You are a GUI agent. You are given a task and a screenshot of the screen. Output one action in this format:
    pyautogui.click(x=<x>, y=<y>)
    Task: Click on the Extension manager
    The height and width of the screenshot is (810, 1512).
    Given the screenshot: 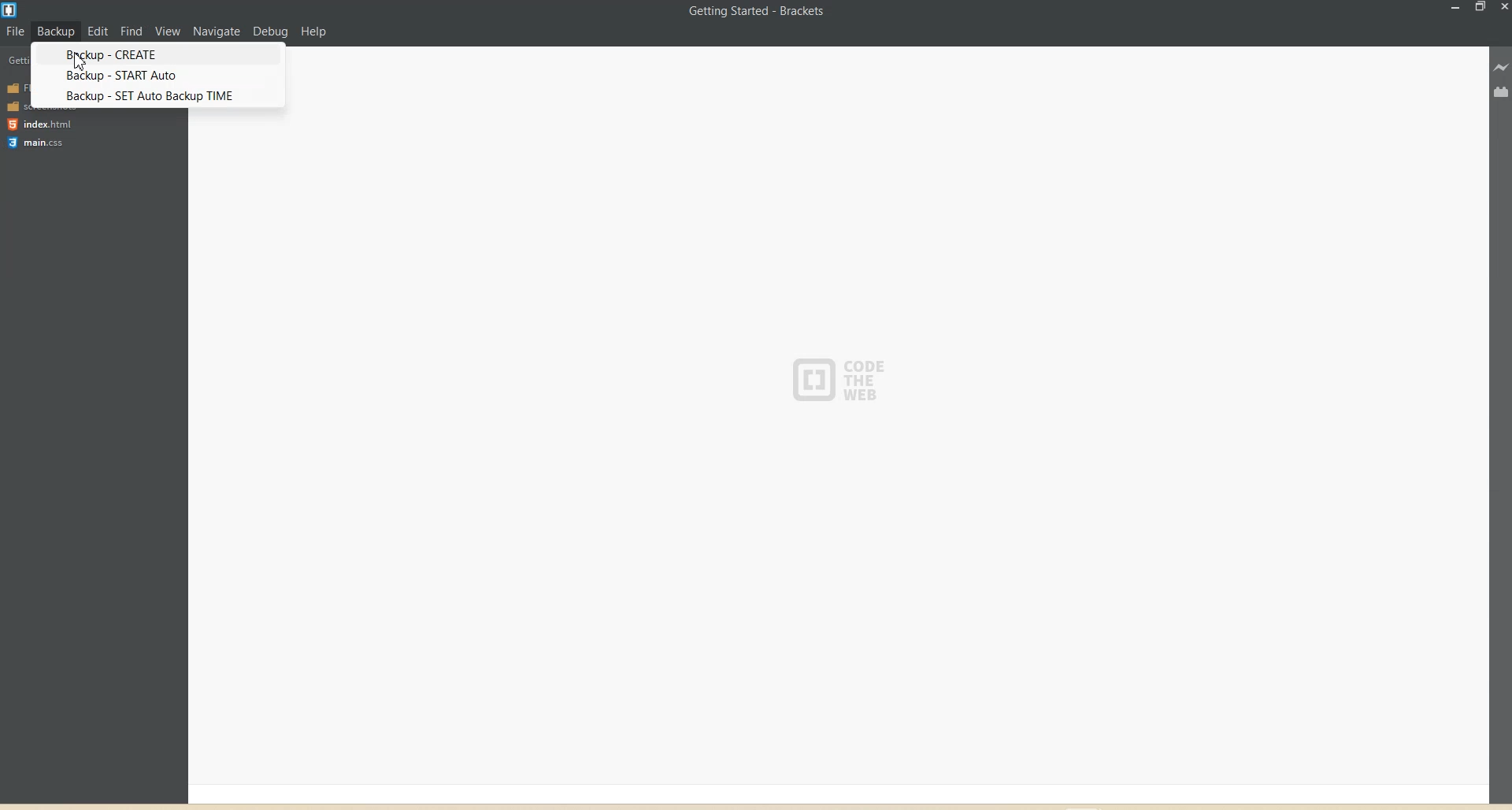 What is the action you would take?
    pyautogui.click(x=1502, y=91)
    